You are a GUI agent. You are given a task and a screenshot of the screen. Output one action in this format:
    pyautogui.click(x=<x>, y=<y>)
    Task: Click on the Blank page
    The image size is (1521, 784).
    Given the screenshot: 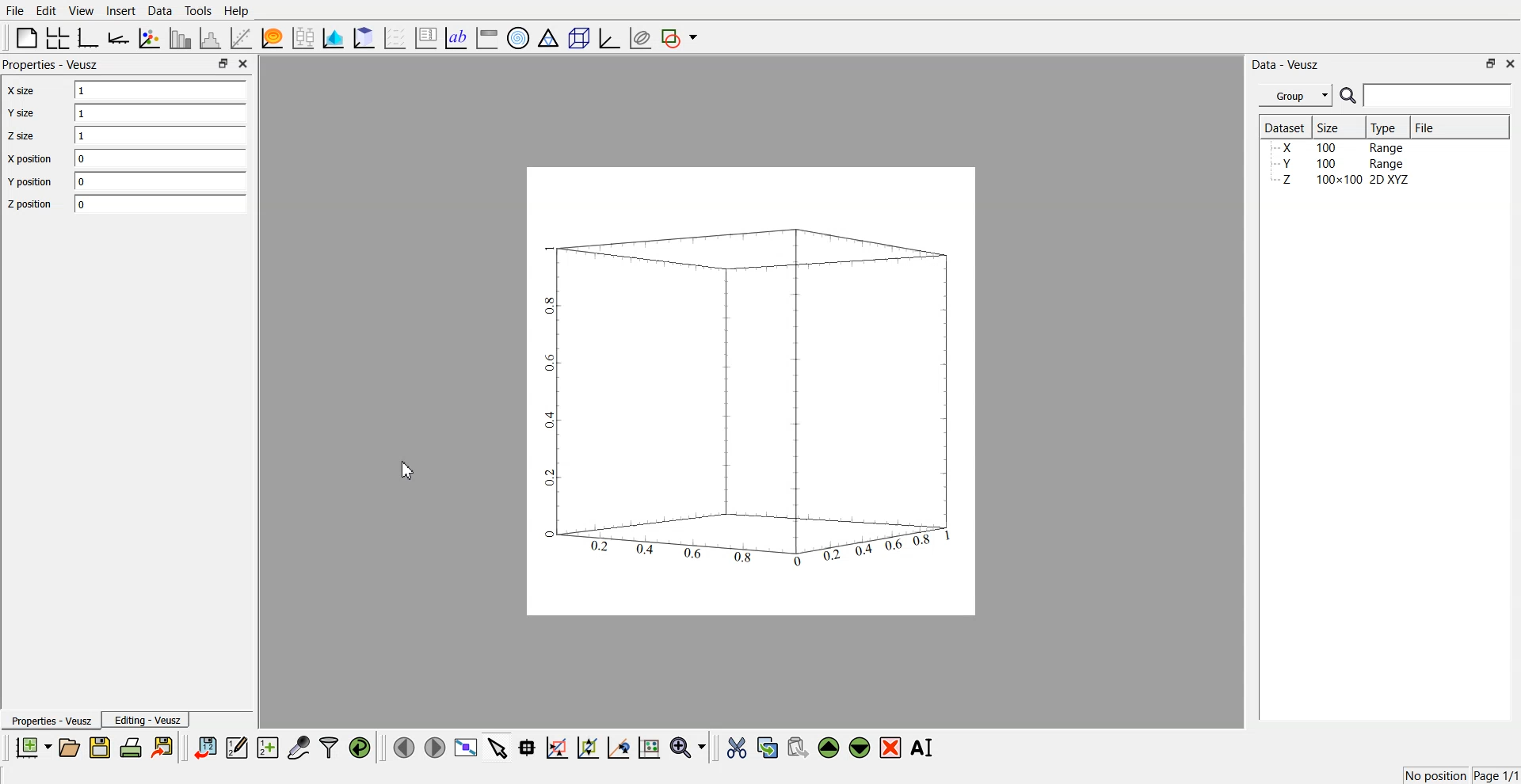 What is the action you would take?
    pyautogui.click(x=27, y=37)
    